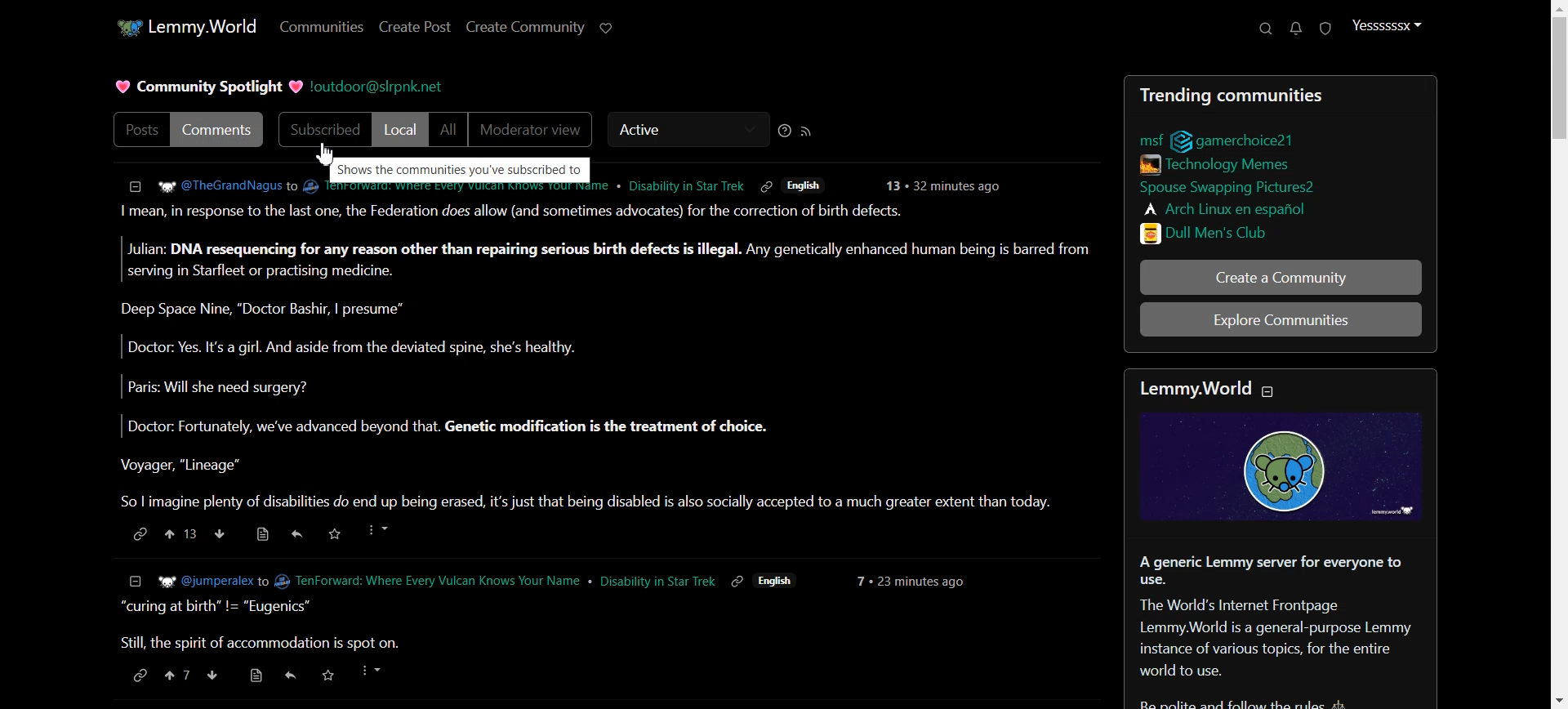 The height and width of the screenshot is (709, 1568). I want to click on Create Community, so click(525, 27).